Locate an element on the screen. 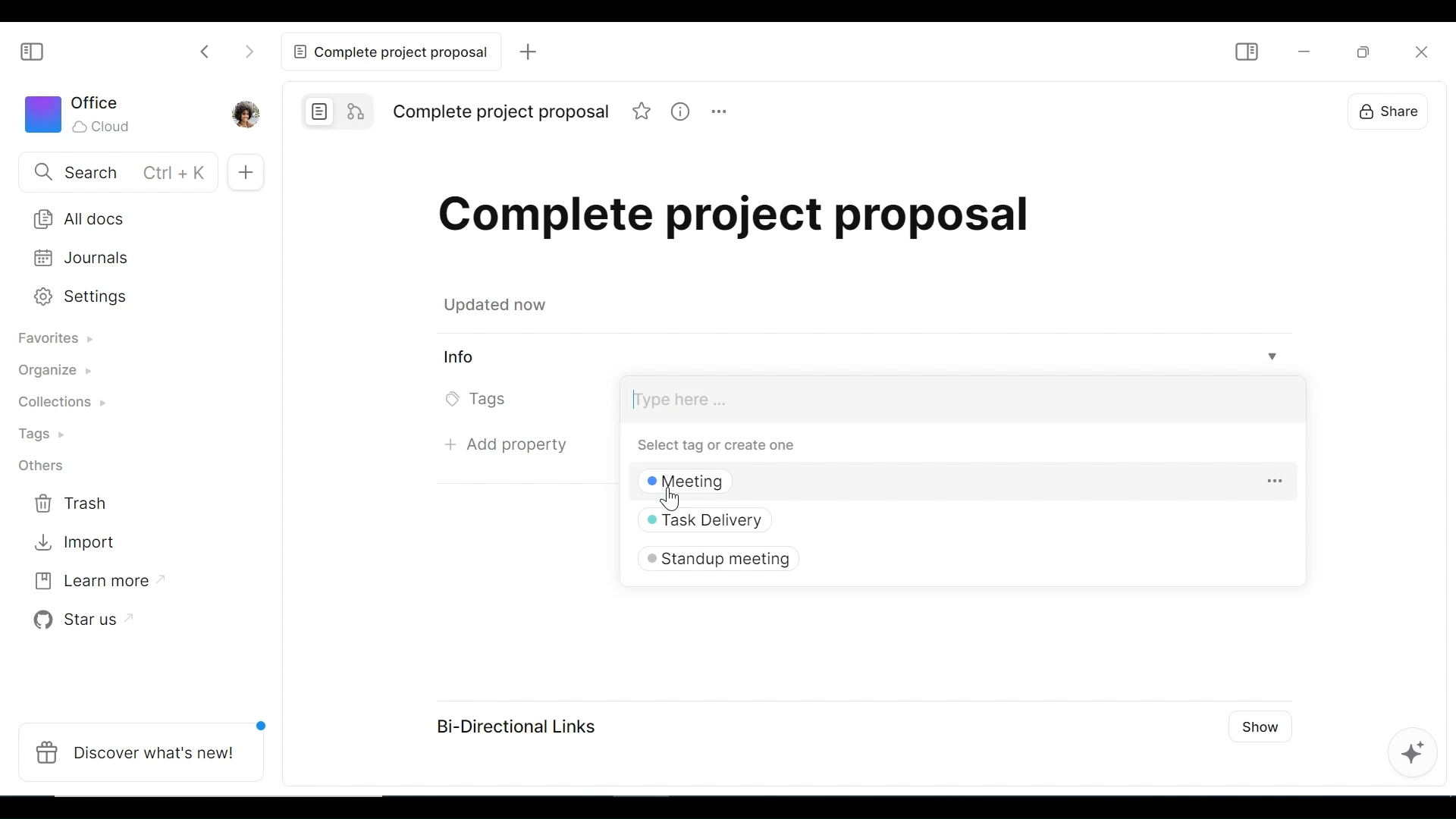 This screenshot has width=1456, height=819. Search is located at coordinates (115, 173).